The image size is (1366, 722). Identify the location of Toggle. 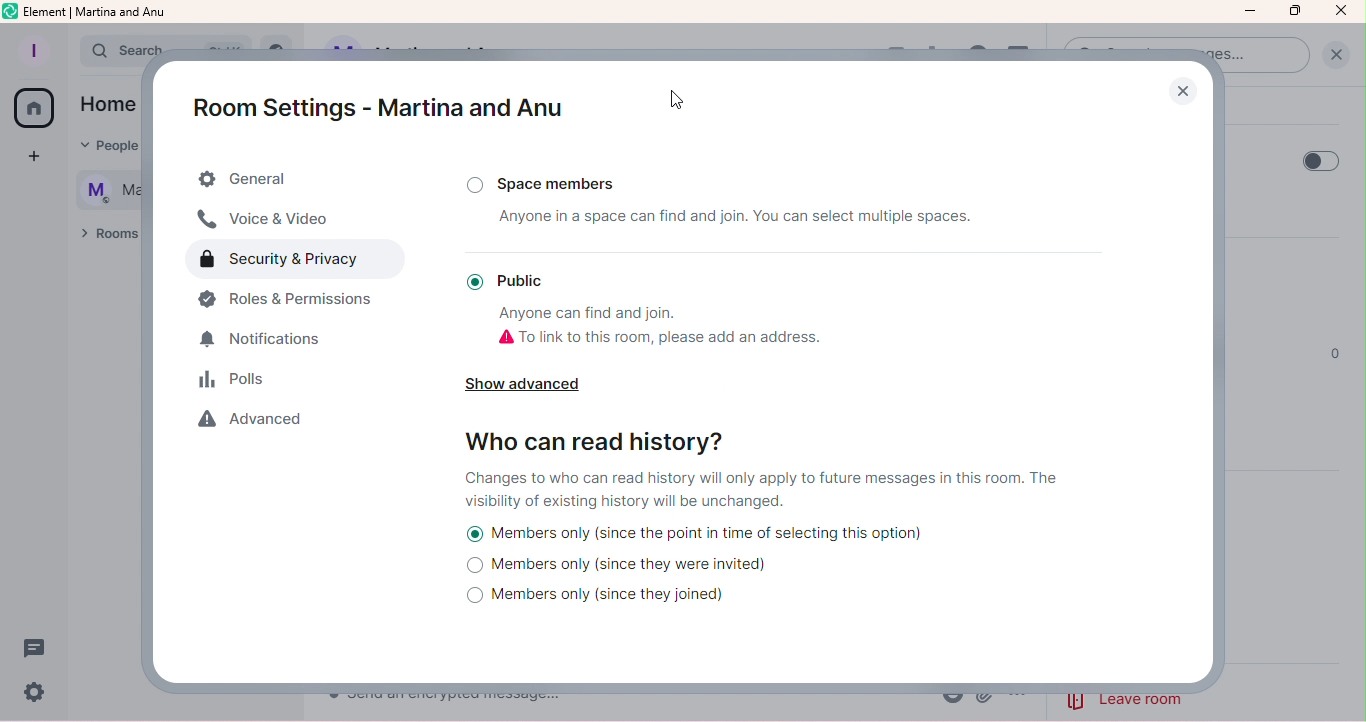
(1313, 161).